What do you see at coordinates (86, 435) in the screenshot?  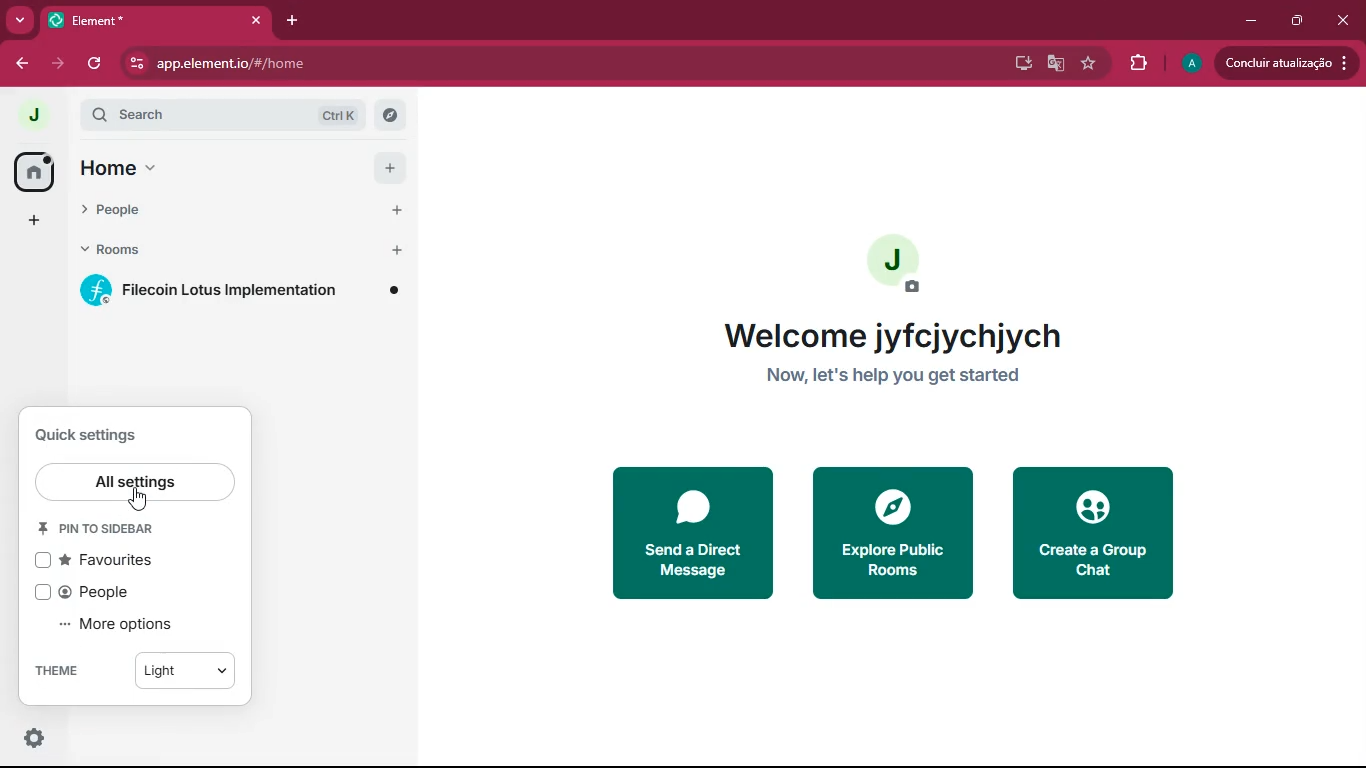 I see `quick settings` at bounding box center [86, 435].